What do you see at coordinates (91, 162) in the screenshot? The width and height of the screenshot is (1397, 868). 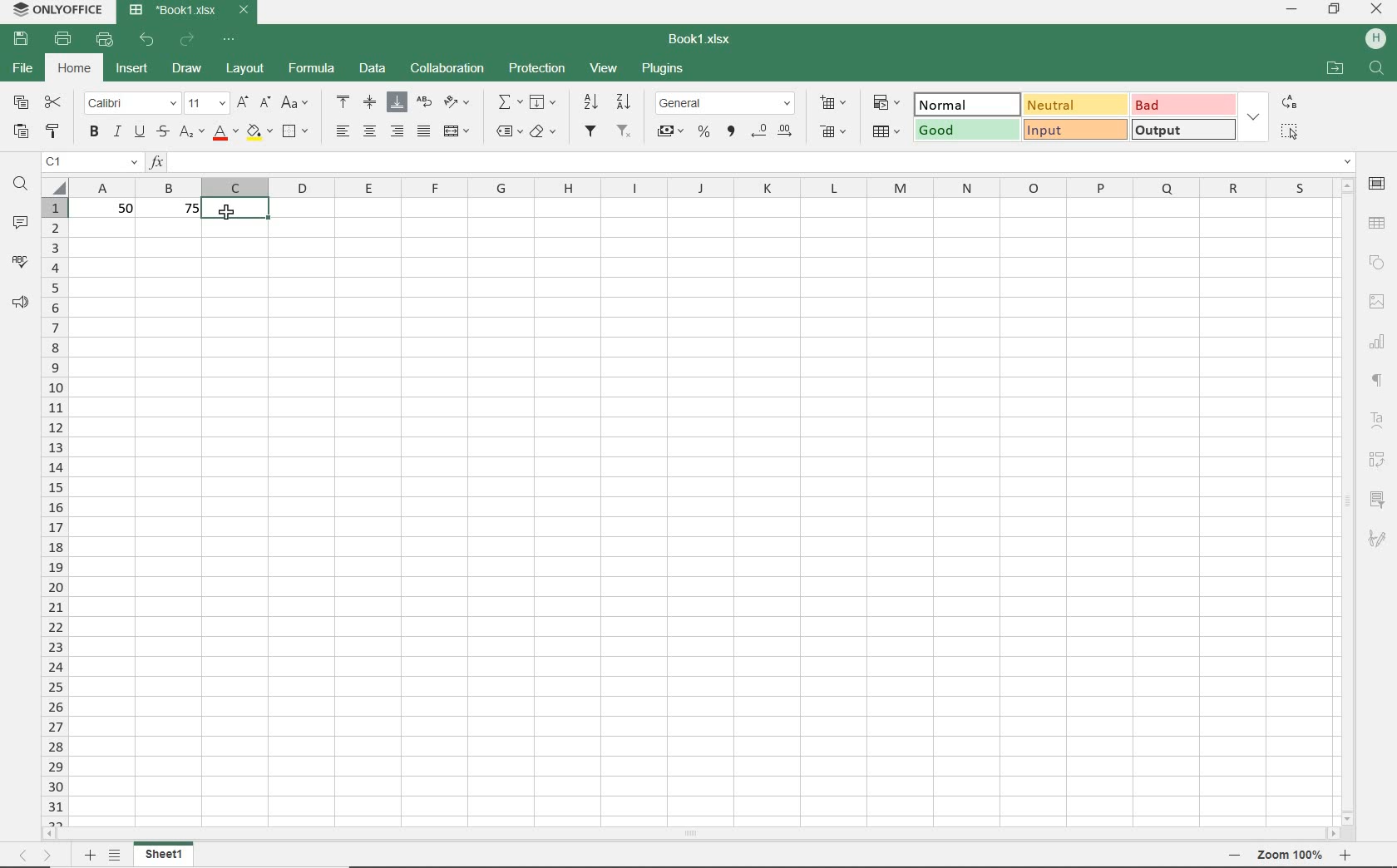 I see `name manager` at bounding box center [91, 162].